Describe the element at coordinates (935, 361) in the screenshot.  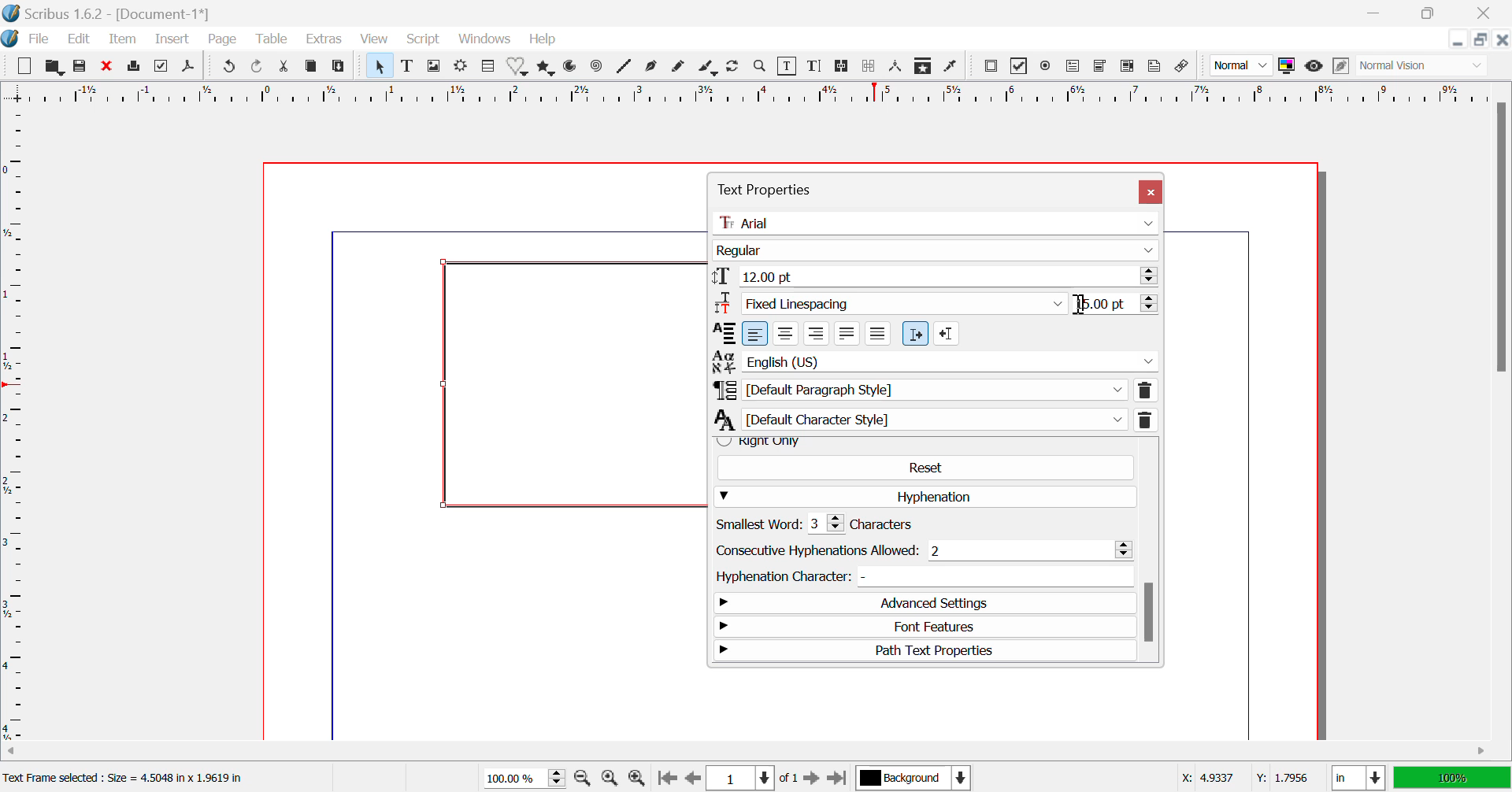
I see `English (US)` at that location.